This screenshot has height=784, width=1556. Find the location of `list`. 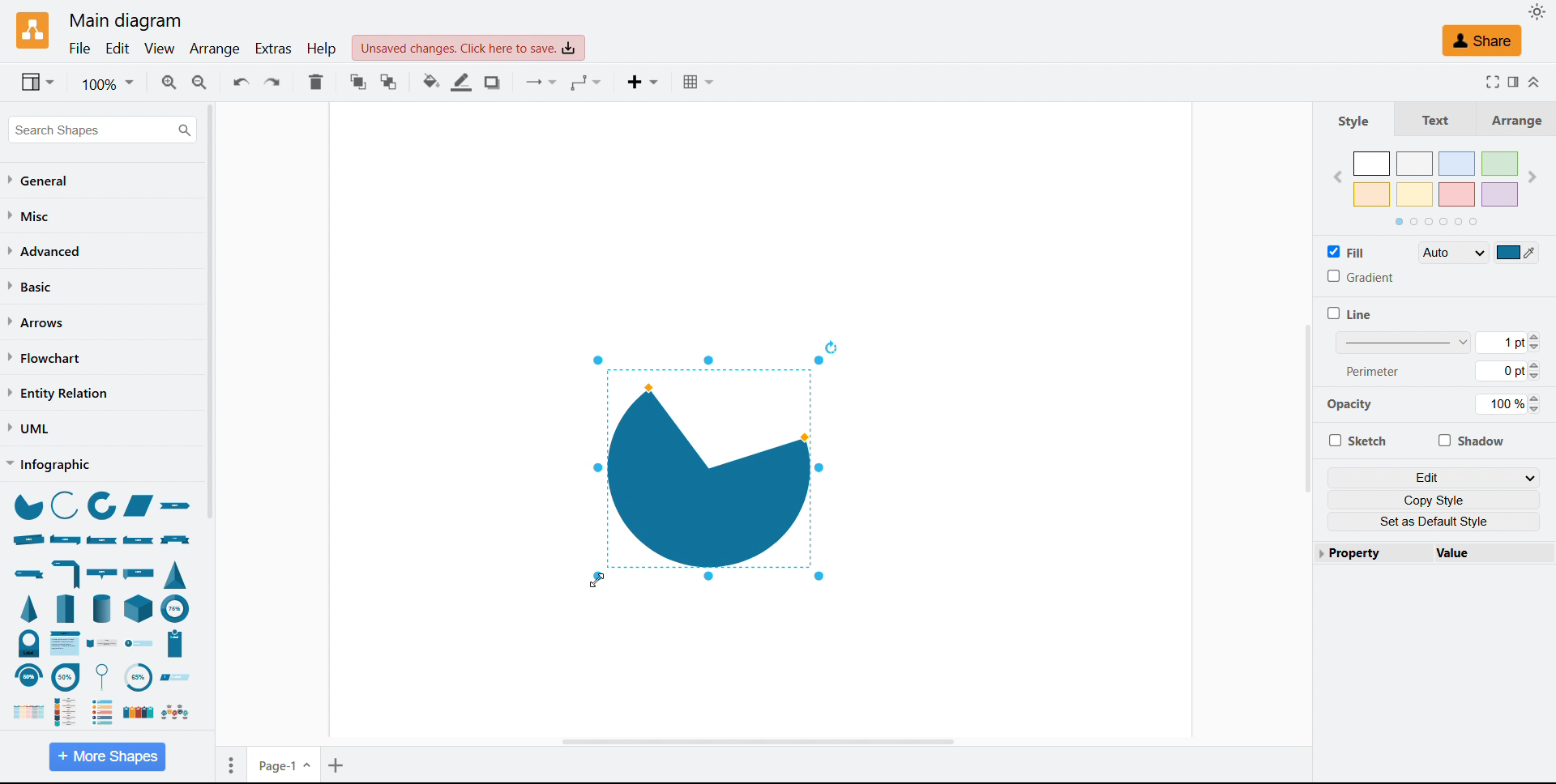

list is located at coordinates (136, 713).